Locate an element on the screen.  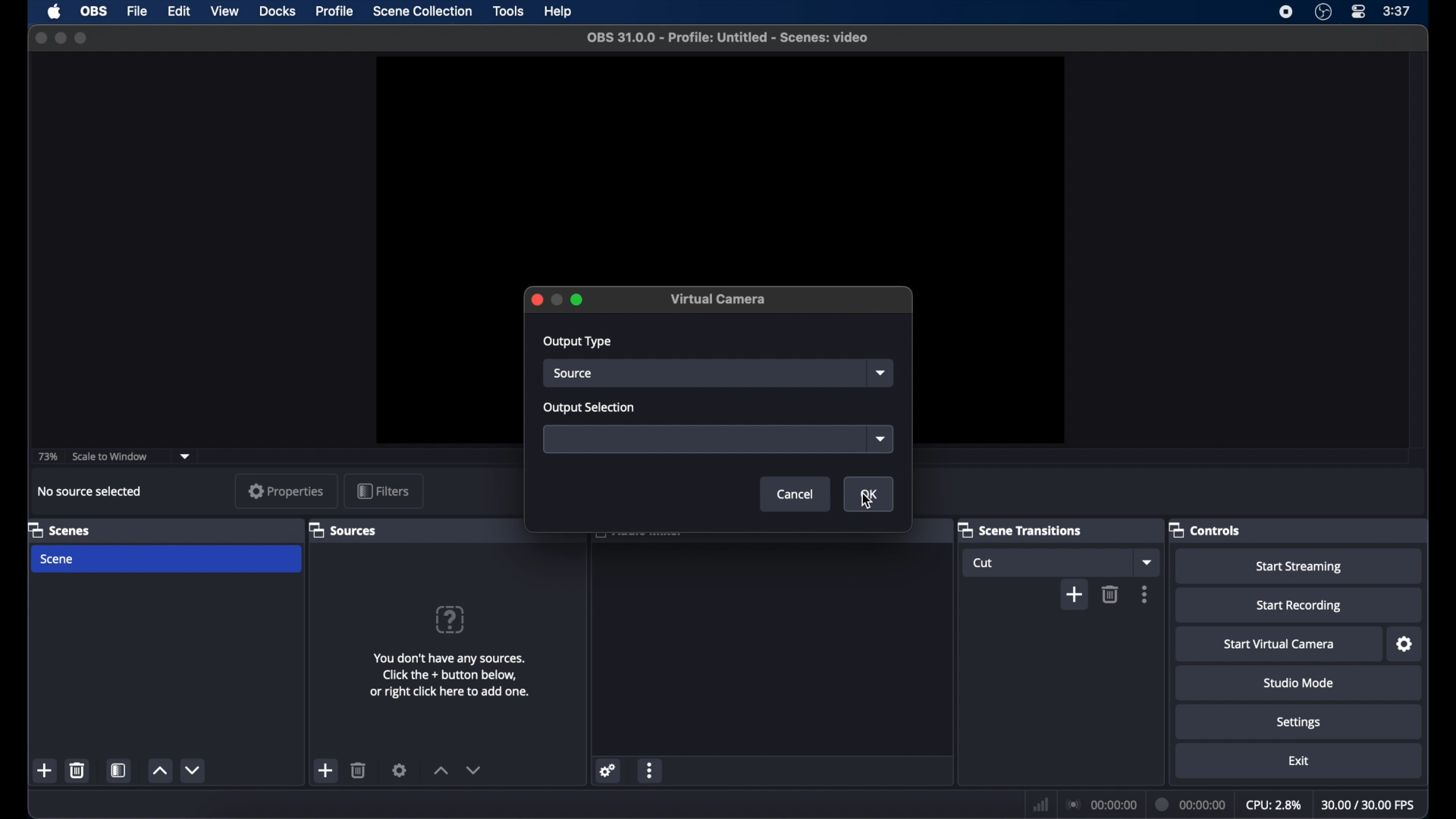
obs is located at coordinates (94, 11).